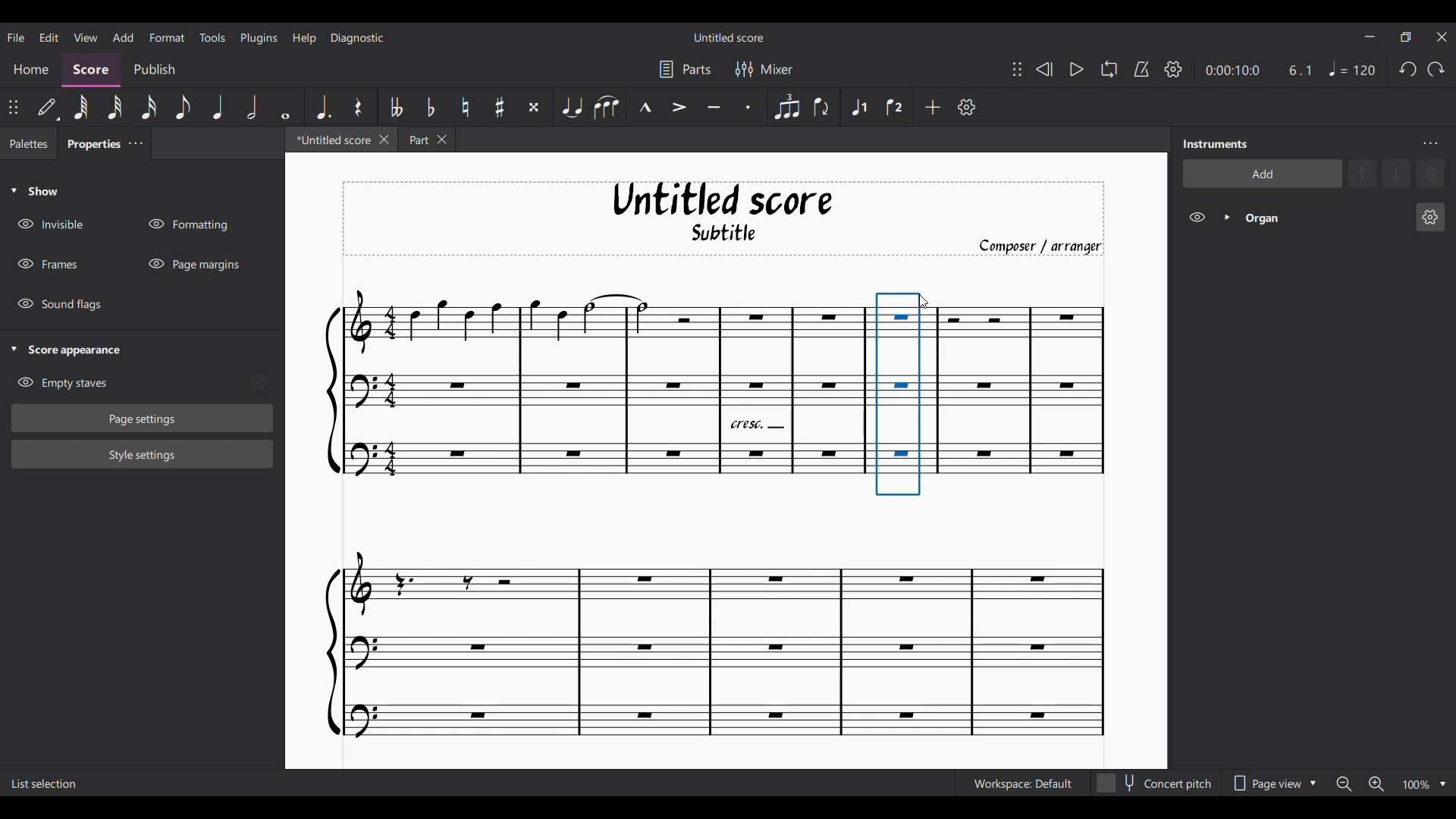  I want to click on Play, so click(1077, 70).